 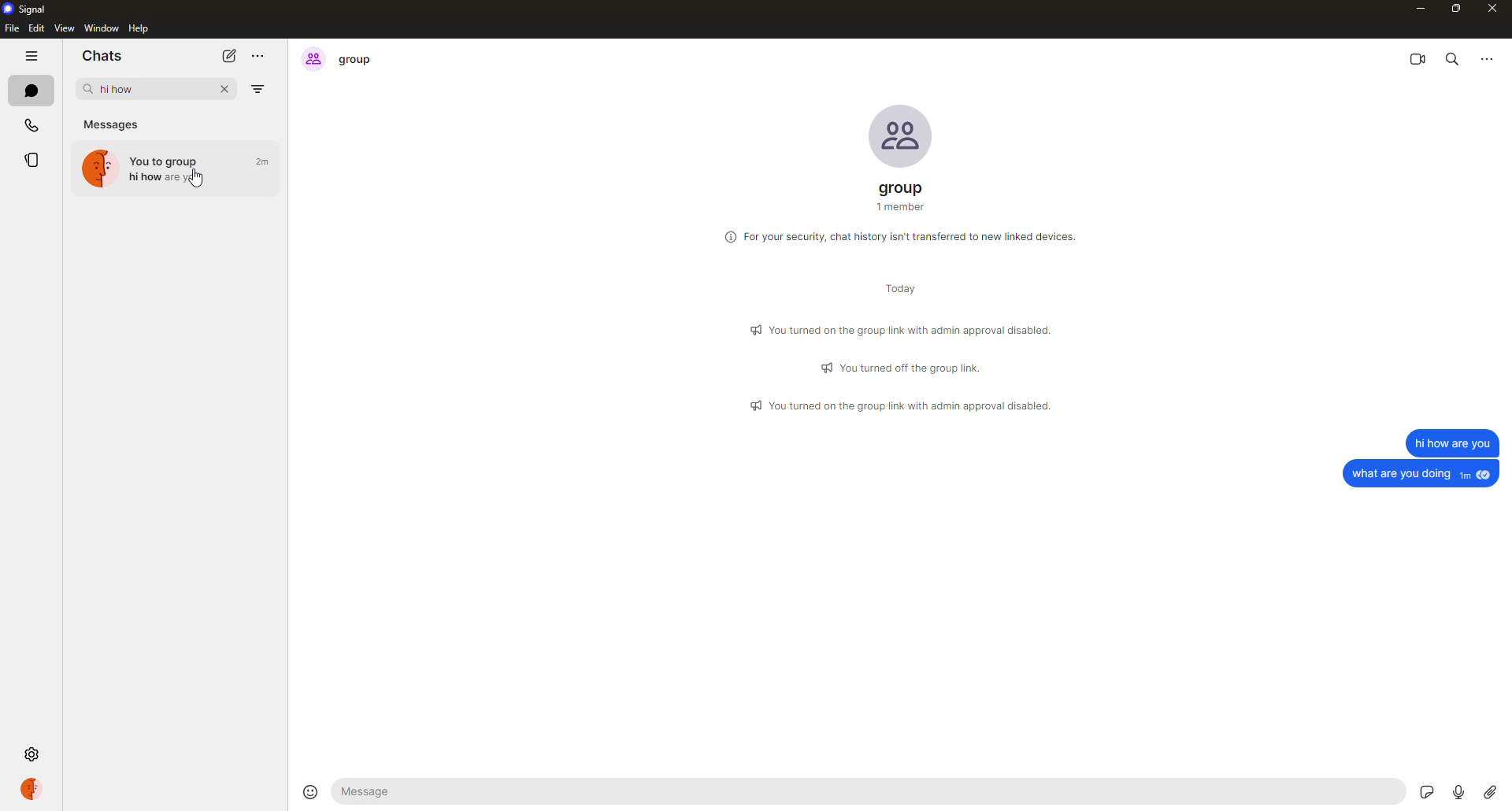 I want to click on maximize, so click(x=1458, y=9).